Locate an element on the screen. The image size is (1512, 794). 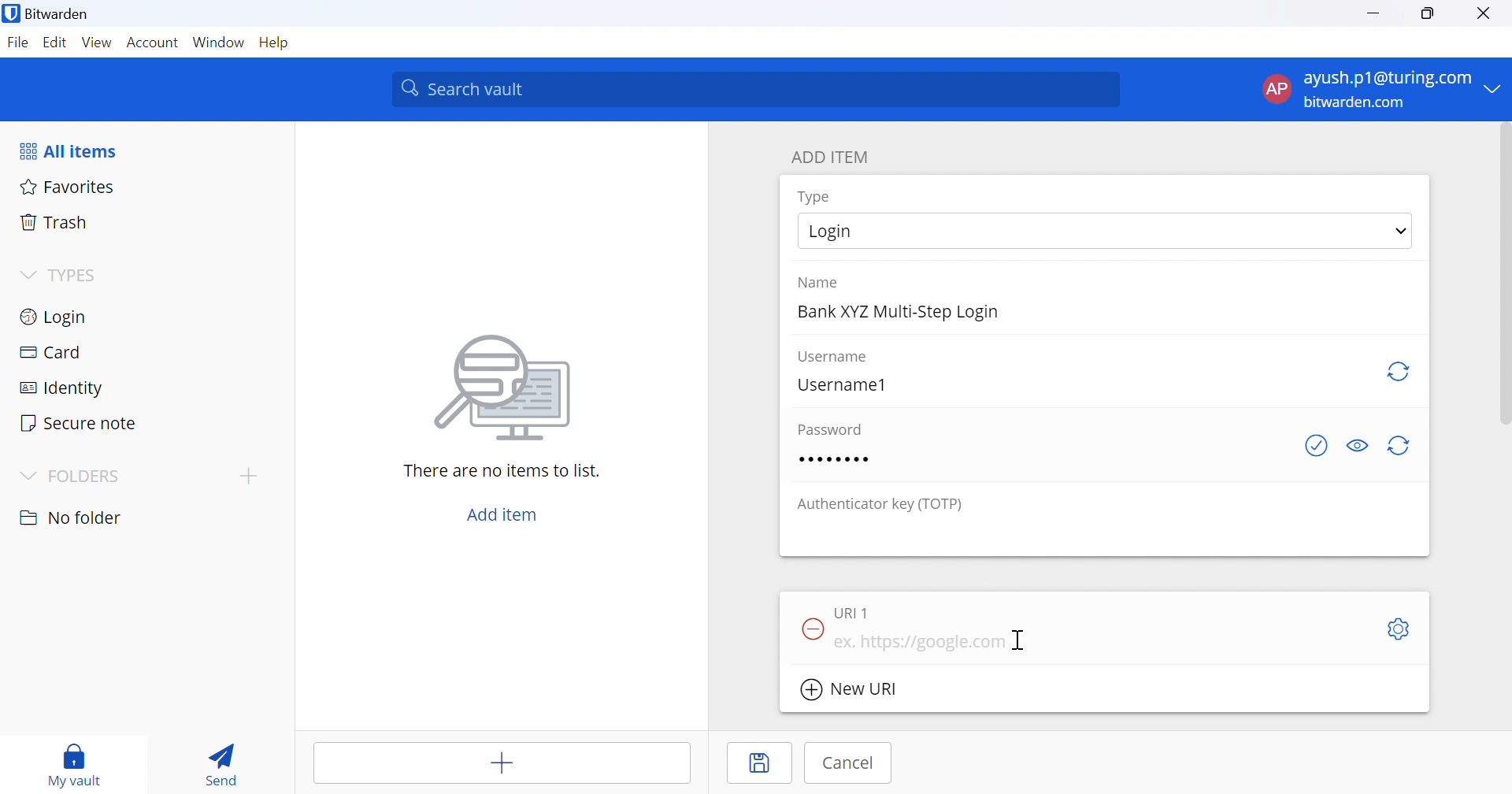
Username1 is located at coordinates (850, 386).